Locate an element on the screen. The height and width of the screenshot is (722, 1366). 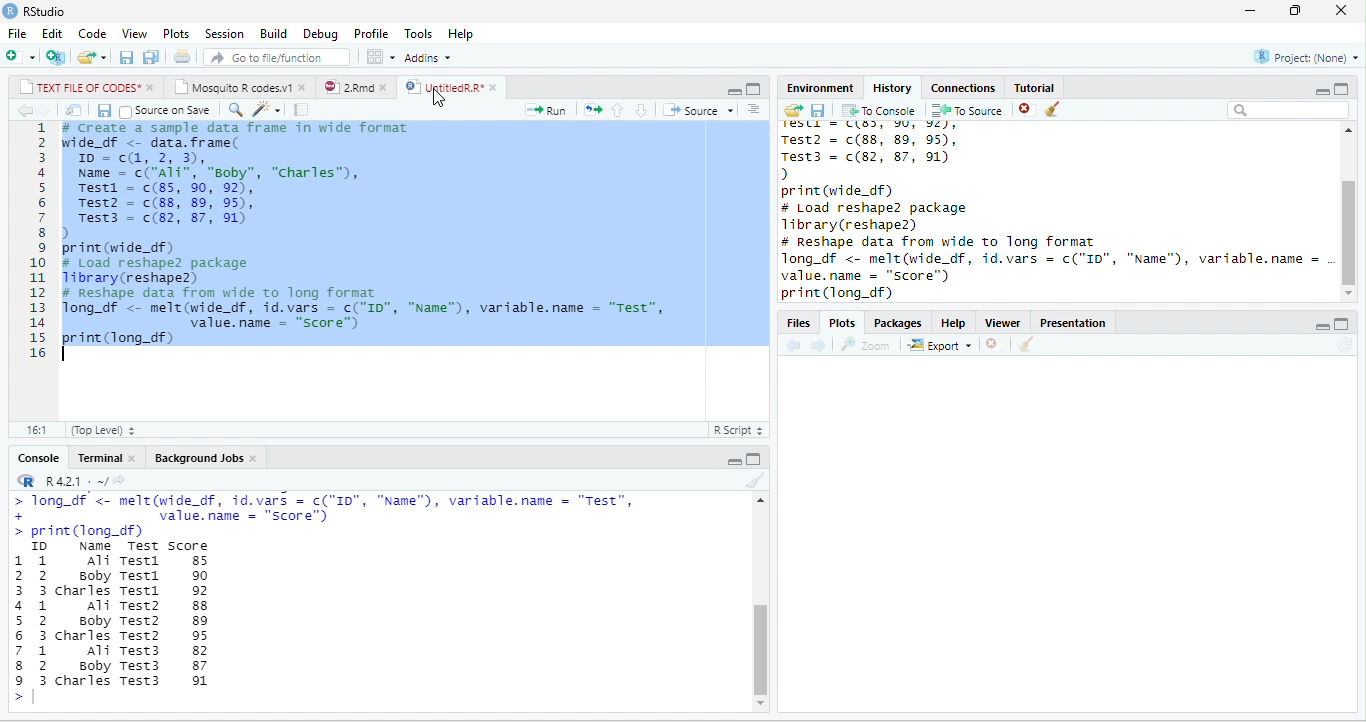
typing cursor is located at coordinates (68, 354).